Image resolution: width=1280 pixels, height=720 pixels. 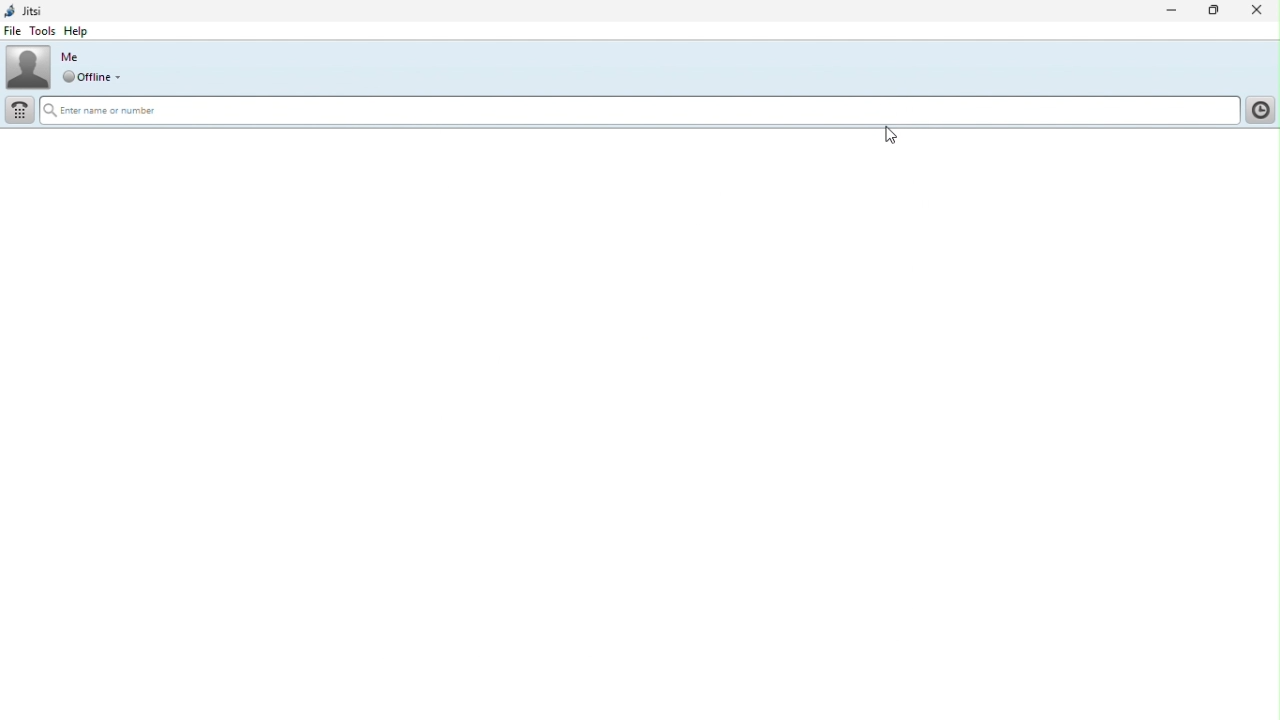 What do you see at coordinates (1176, 12) in the screenshot?
I see `Minimise` at bounding box center [1176, 12].